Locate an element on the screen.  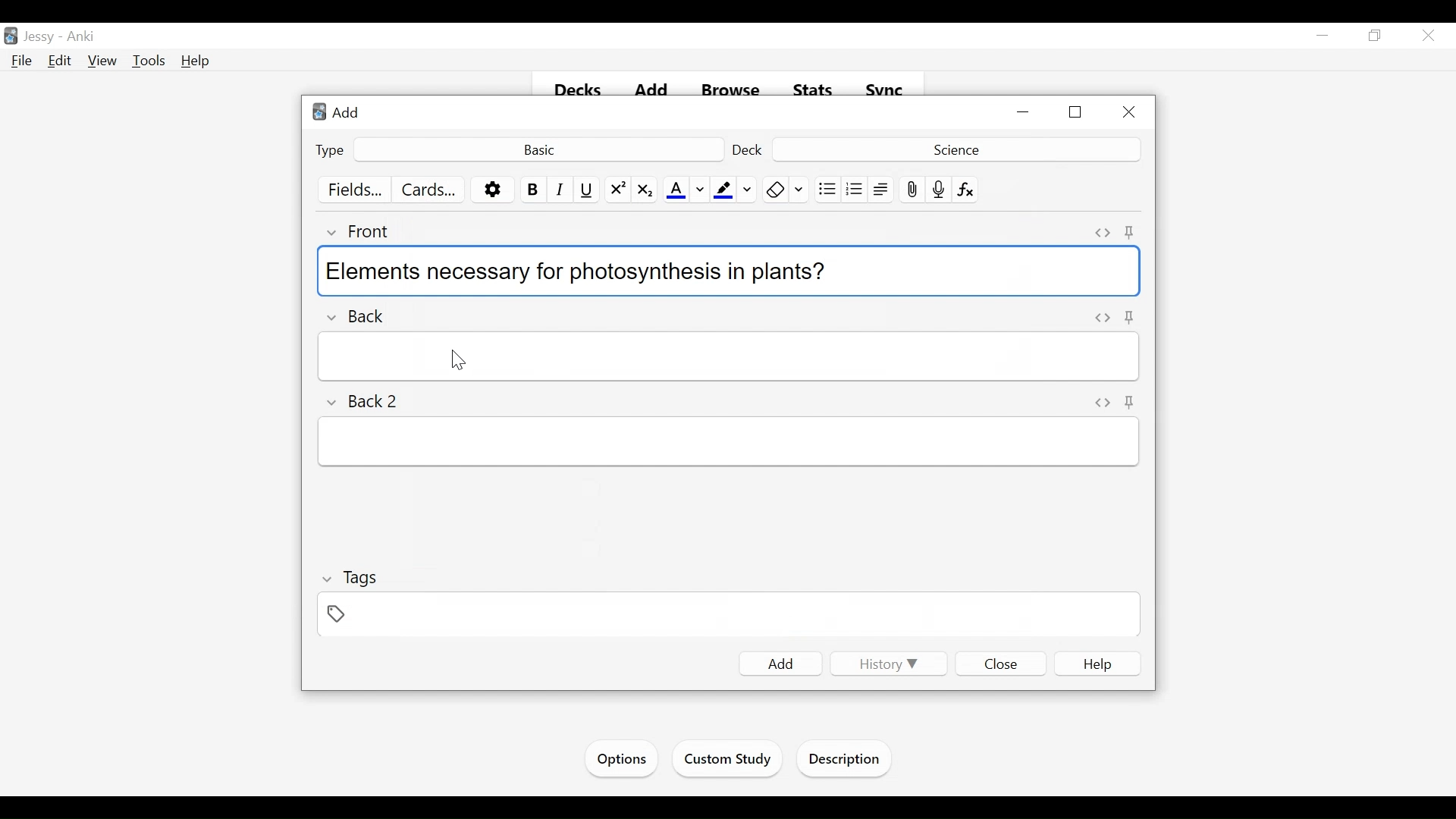
Toggle Sticky is located at coordinates (1131, 402).